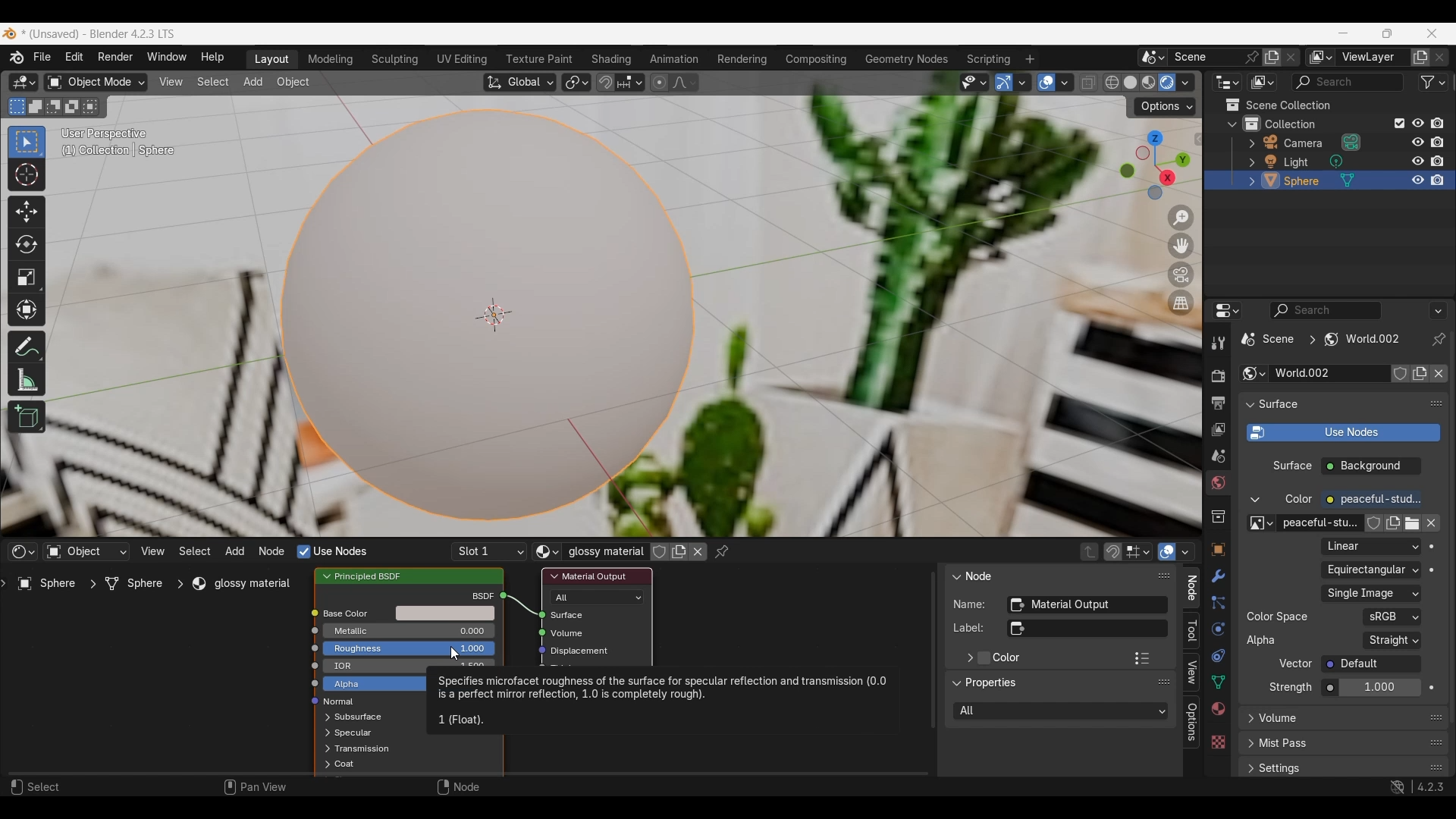 This screenshot has width=1456, height=819. Describe the element at coordinates (540, 60) in the screenshot. I see `Texture paint workspace` at that location.